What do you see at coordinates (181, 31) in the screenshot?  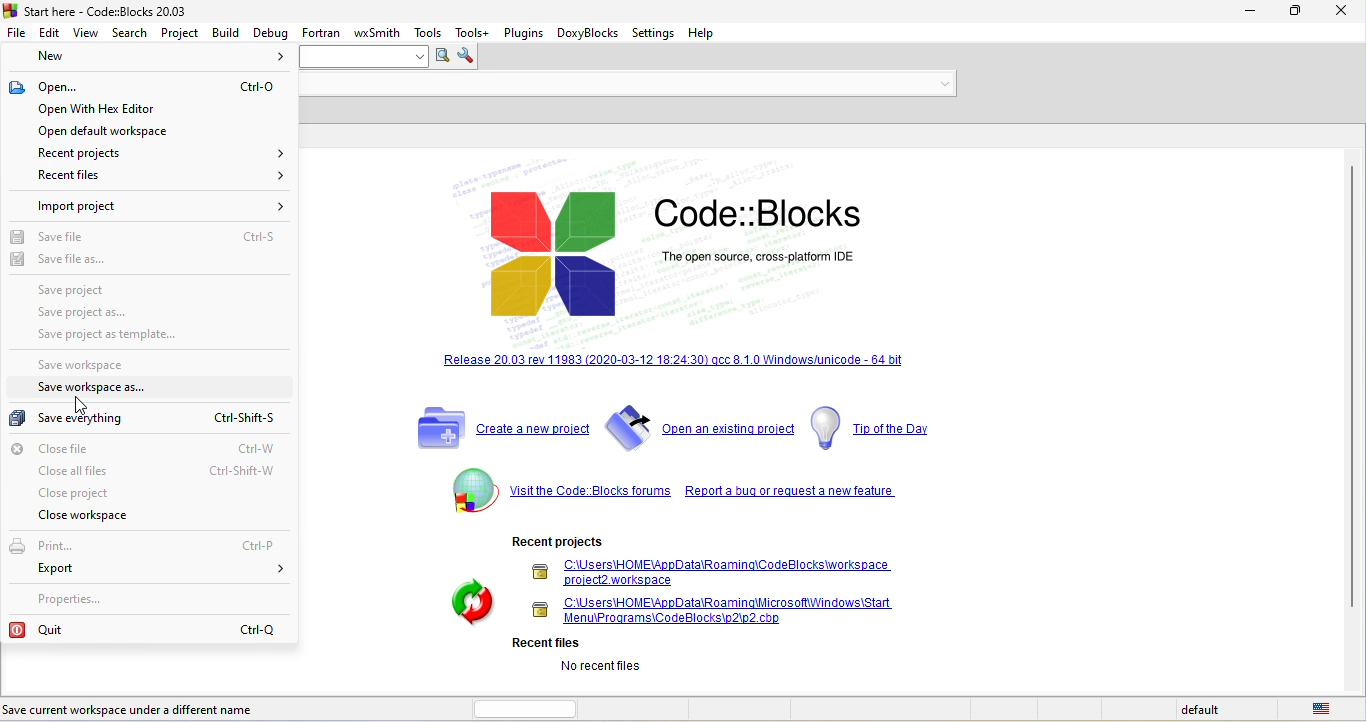 I see `project` at bounding box center [181, 31].